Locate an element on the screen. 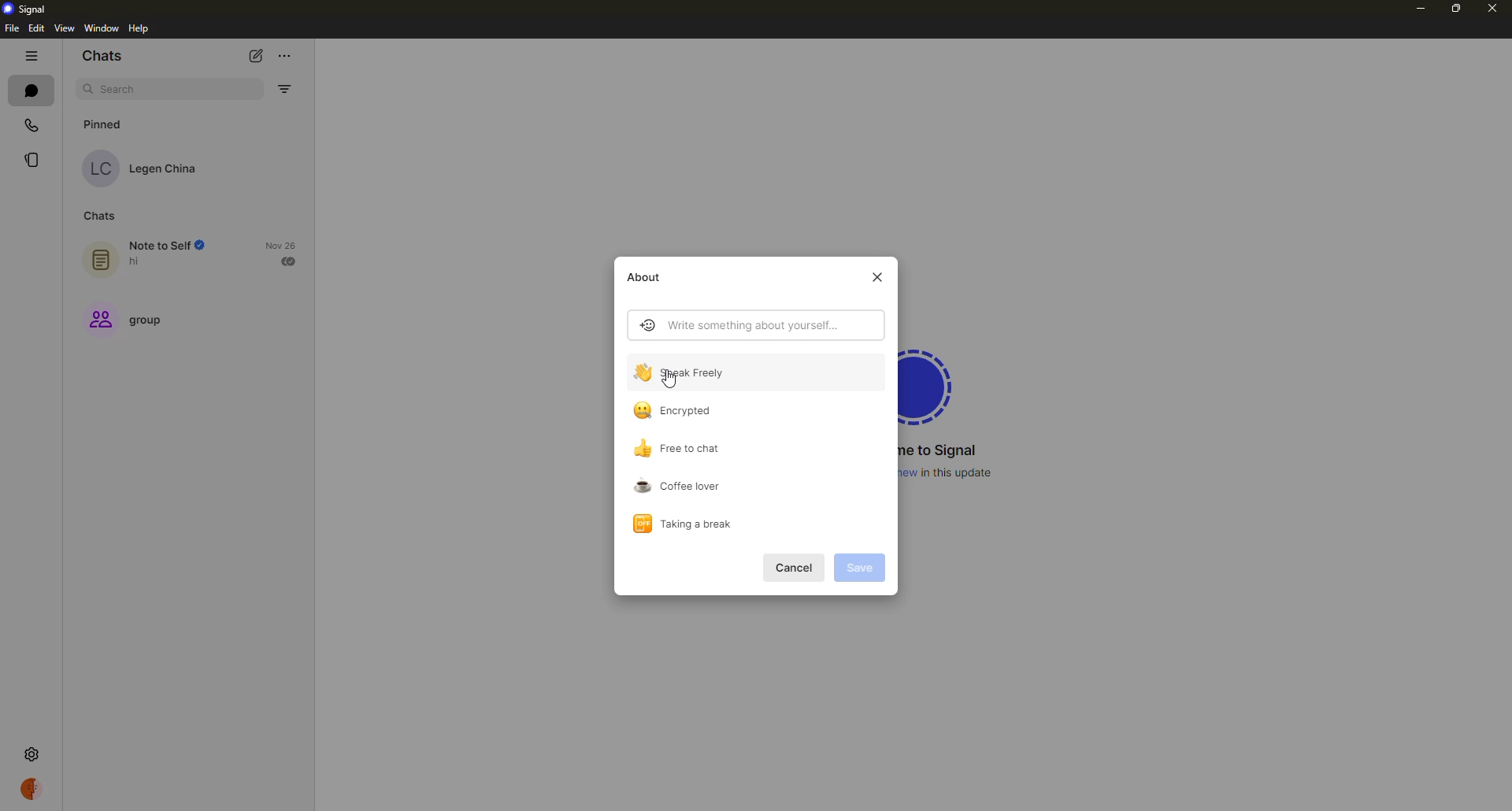 This screenshot has height=811, width=1512. settings is located at coordinates (31, 753).